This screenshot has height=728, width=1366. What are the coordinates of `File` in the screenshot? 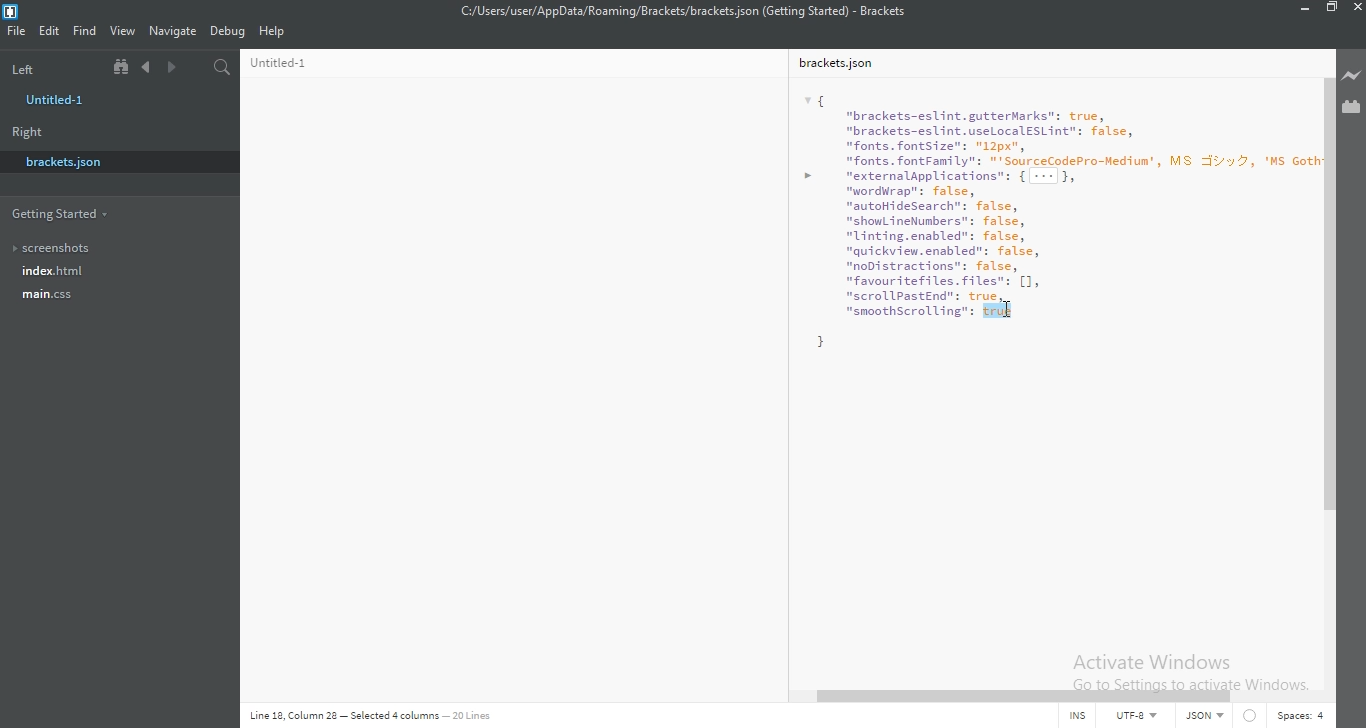 It's located at (17, 31).